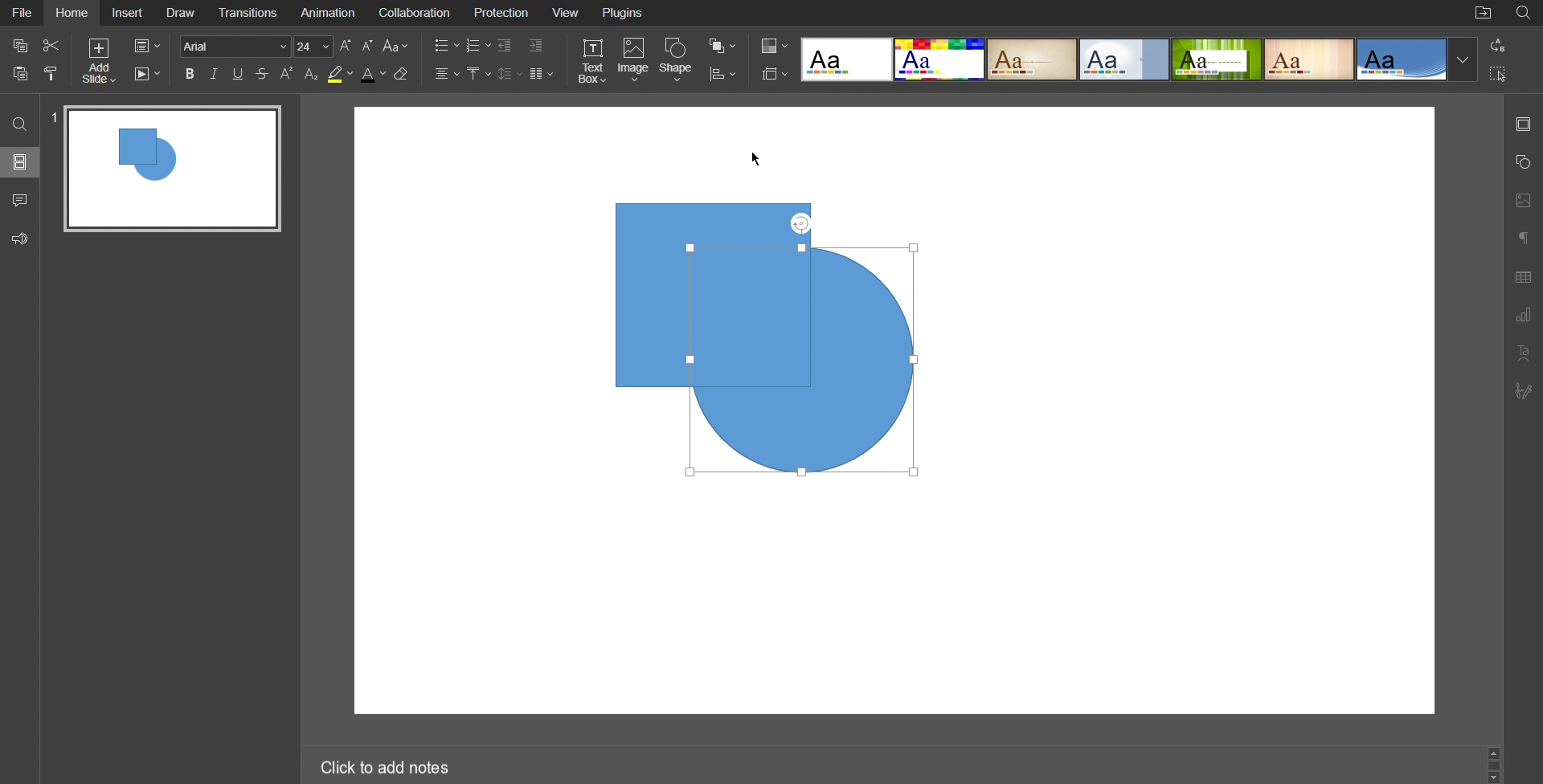 The height and width of the screenshot is (784, 1543). Describe the element at coordinates (1216, 59) in the screenshot. I see `Green Leaf` at that location.